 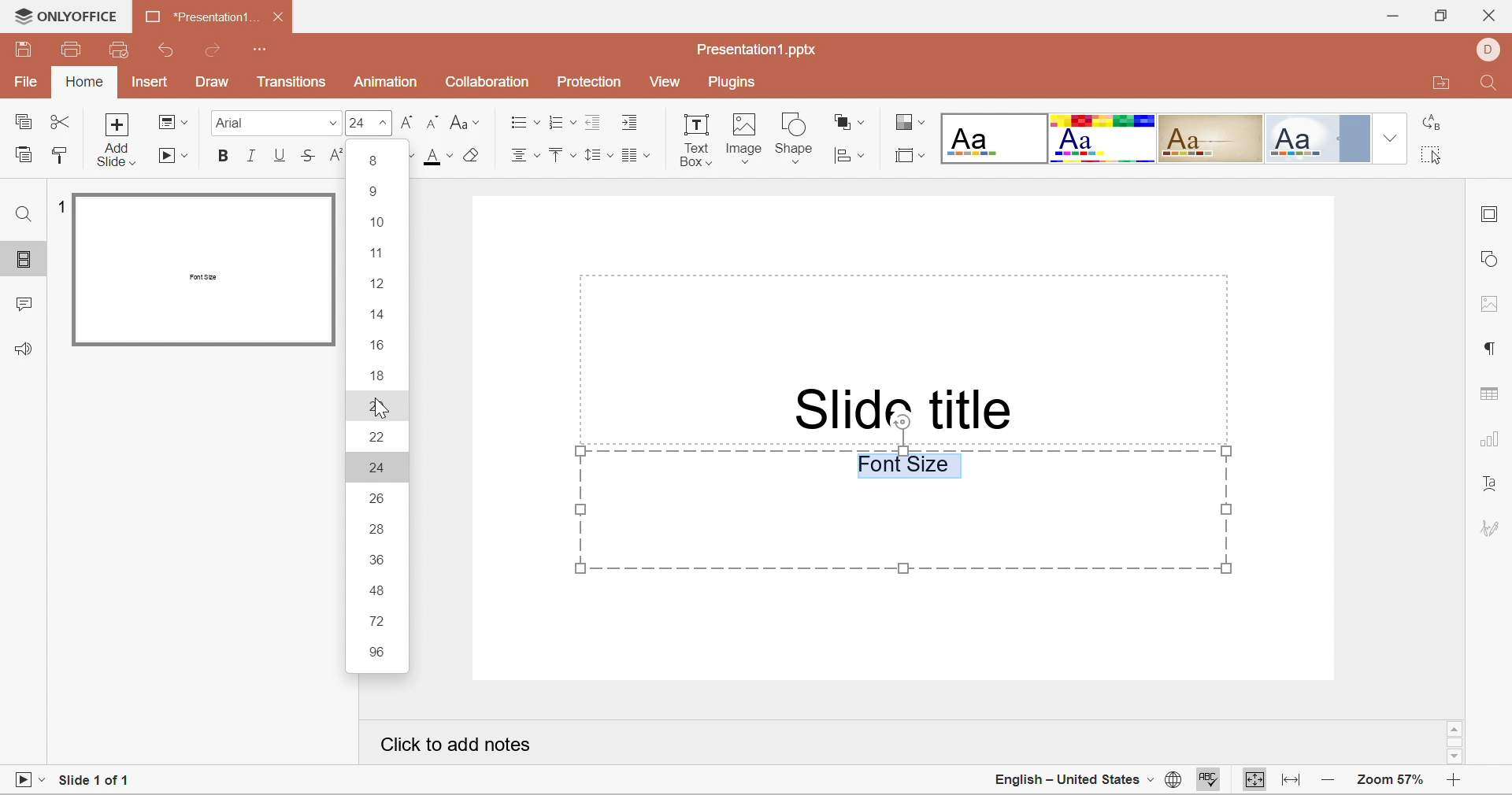 I want to click on Restore Down, so click(x=1440, y=17).